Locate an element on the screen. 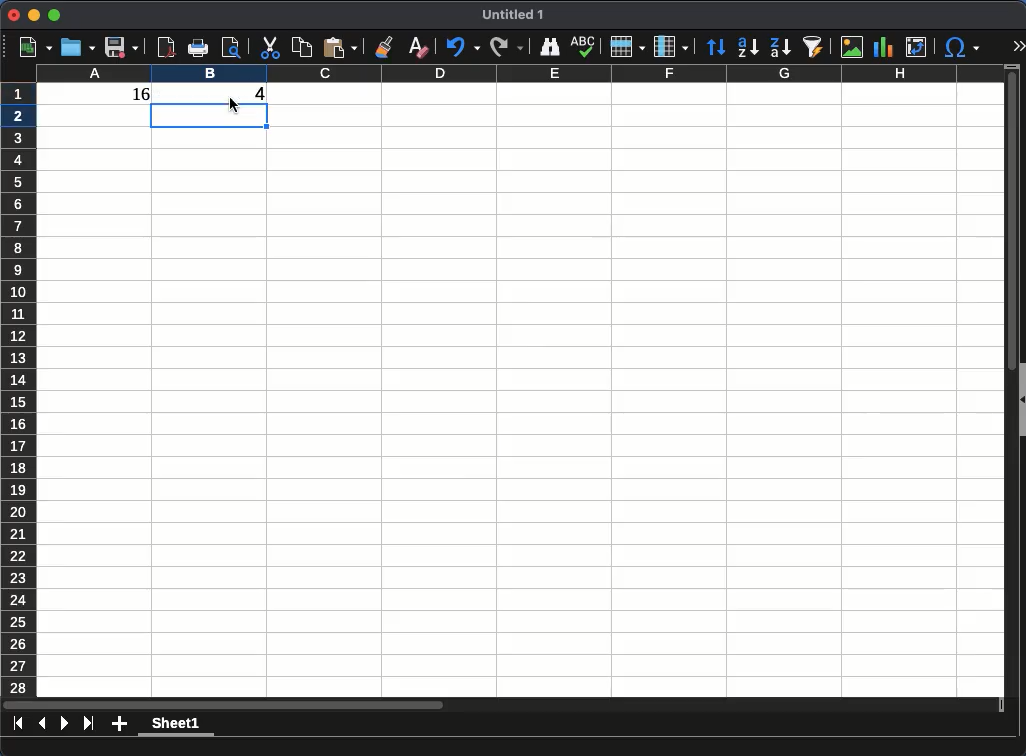 Image resolution: width=1026 pixels, height=756 pixels. undo is located at coordinates (462, 48).